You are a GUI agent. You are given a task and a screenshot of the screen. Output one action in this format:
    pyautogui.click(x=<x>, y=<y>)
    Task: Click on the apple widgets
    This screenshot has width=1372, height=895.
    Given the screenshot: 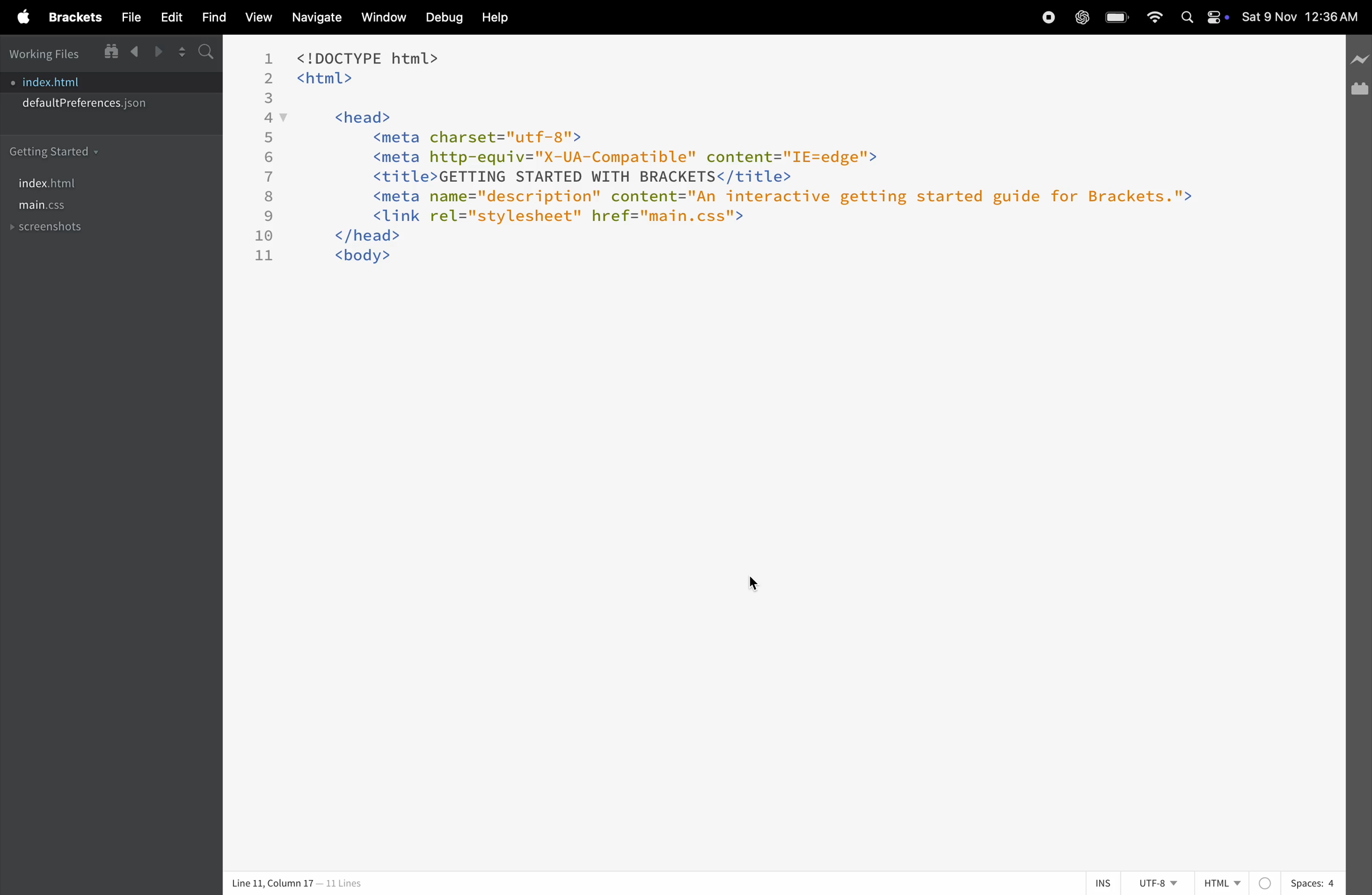 What is the action you would take?
    pyautogui.click(x=1206, y=18)
    